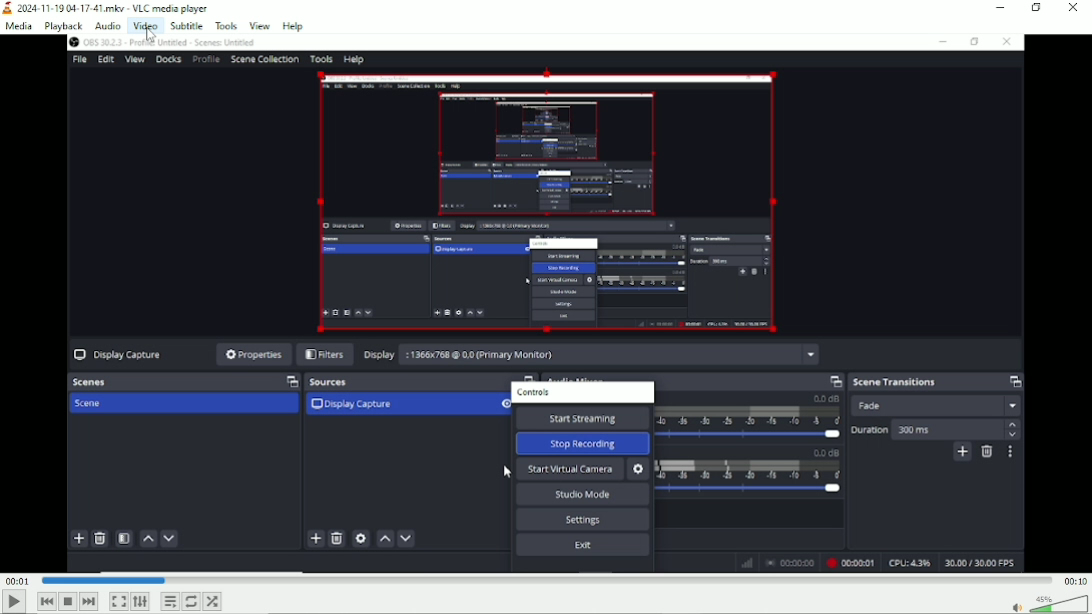 This screenshot has height=614, width=1092. Describe the element at coordinates (191, 601) in the screenshot. I see `Toggle between loop all, loop one and no loop` at that location.